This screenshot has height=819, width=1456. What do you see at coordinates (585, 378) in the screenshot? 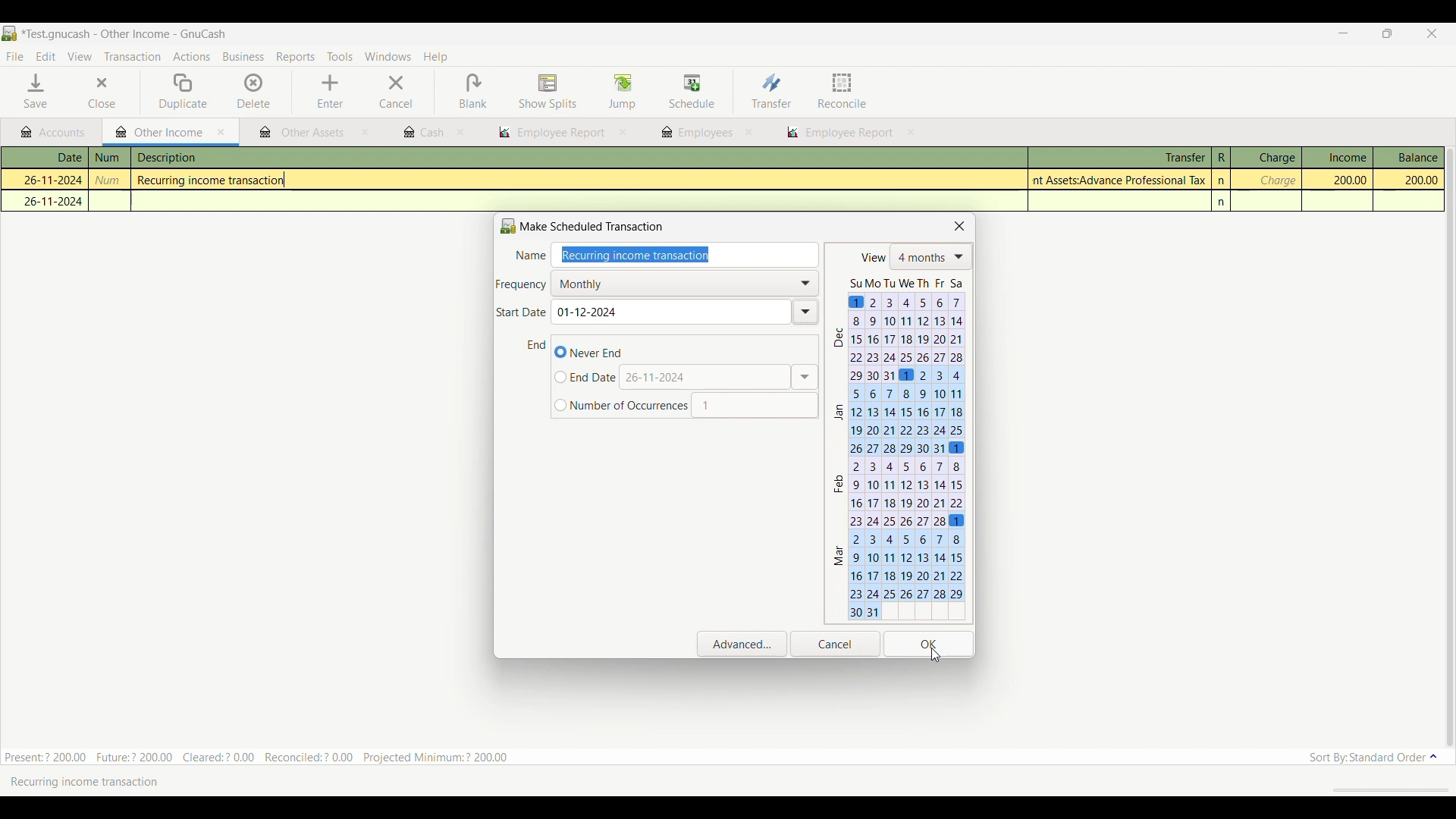
I see `Input specific end date` at bounding box center [585, 378].